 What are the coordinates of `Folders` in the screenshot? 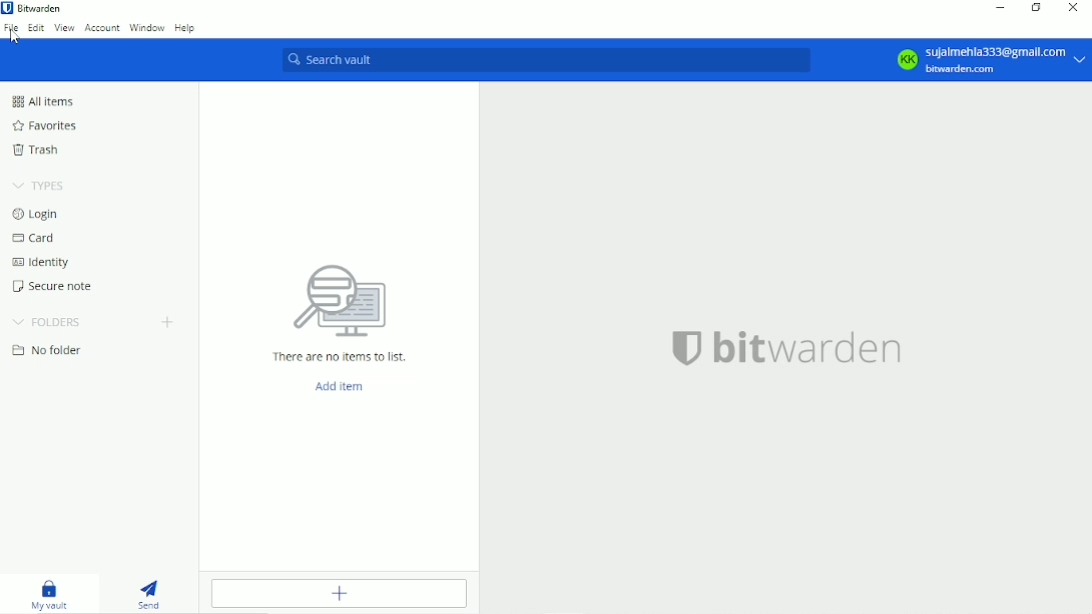 It's located at (49, 321).